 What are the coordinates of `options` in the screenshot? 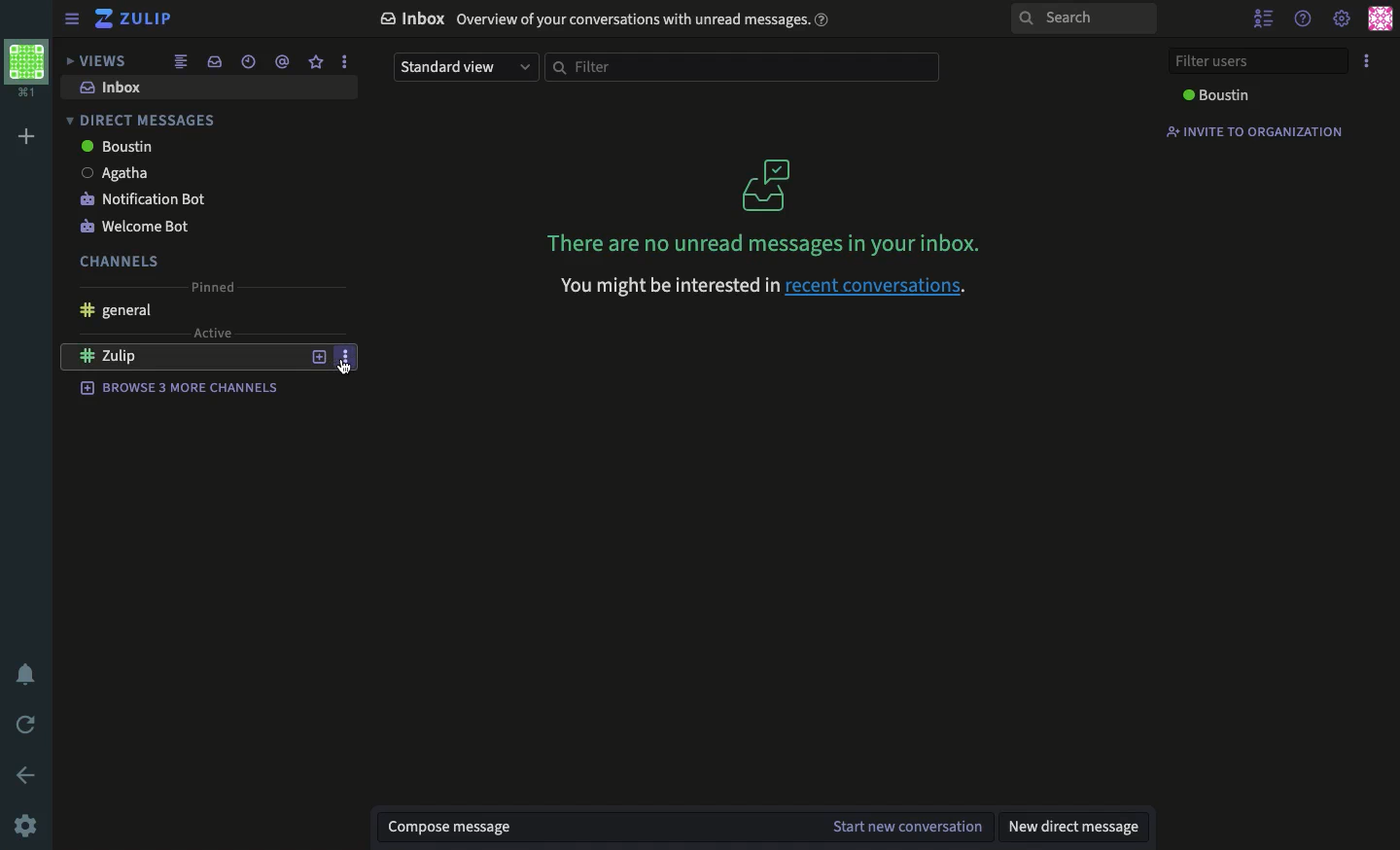 It's located at (1369, 61).